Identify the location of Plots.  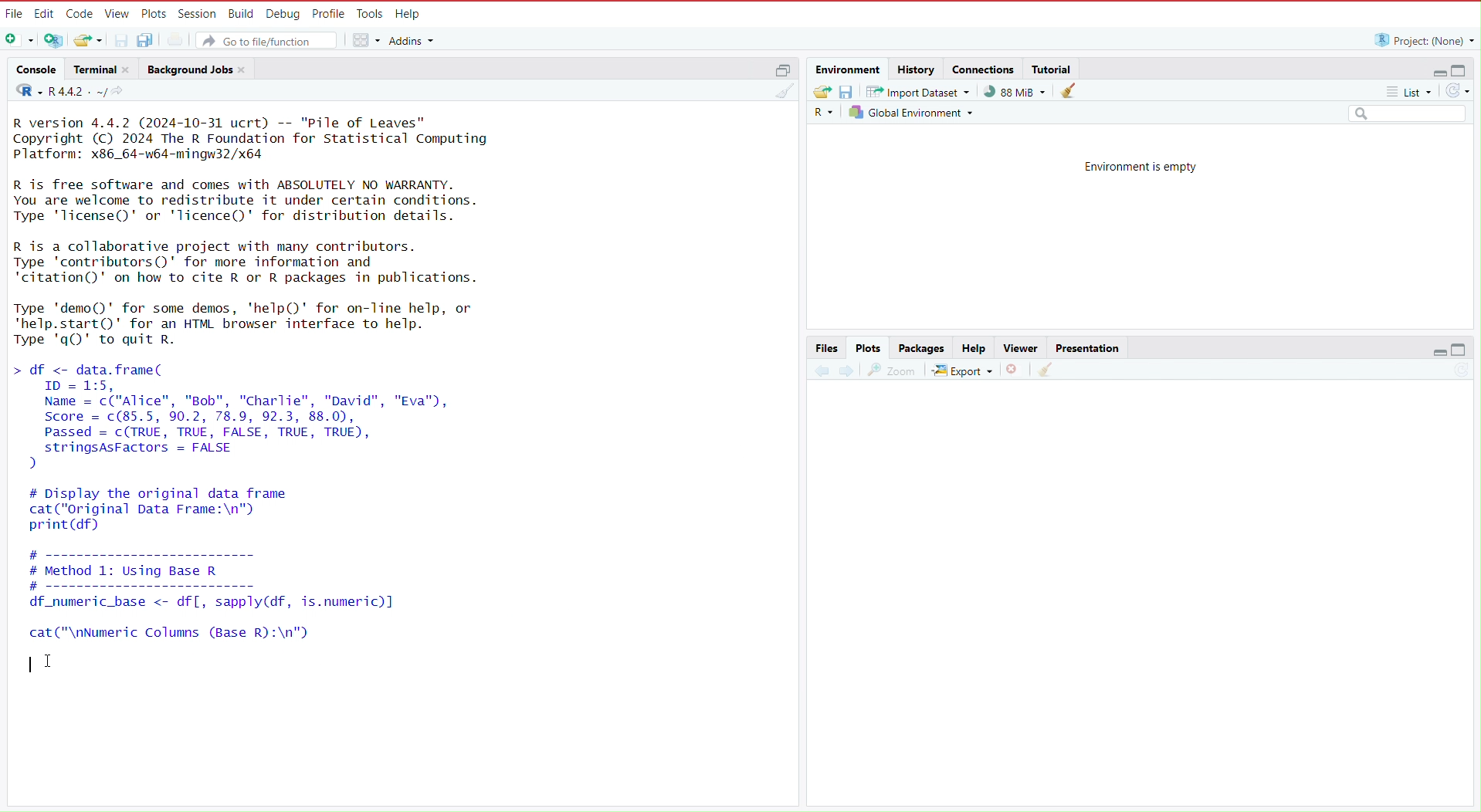
(866, 349).